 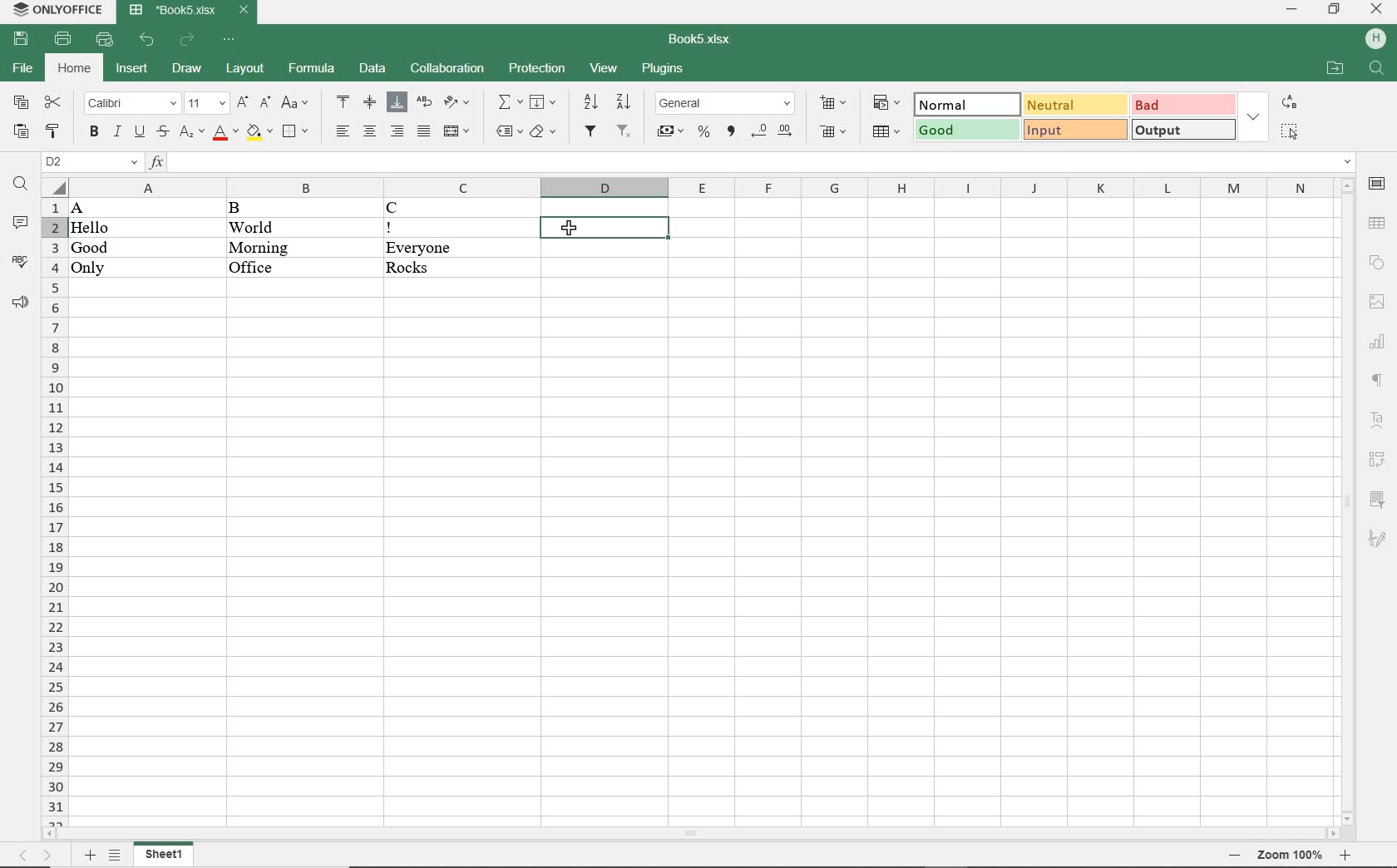 What do you see at coordinates (24, 70) in the screenshot?
I see `FILE` at bounding box center [24, 70].